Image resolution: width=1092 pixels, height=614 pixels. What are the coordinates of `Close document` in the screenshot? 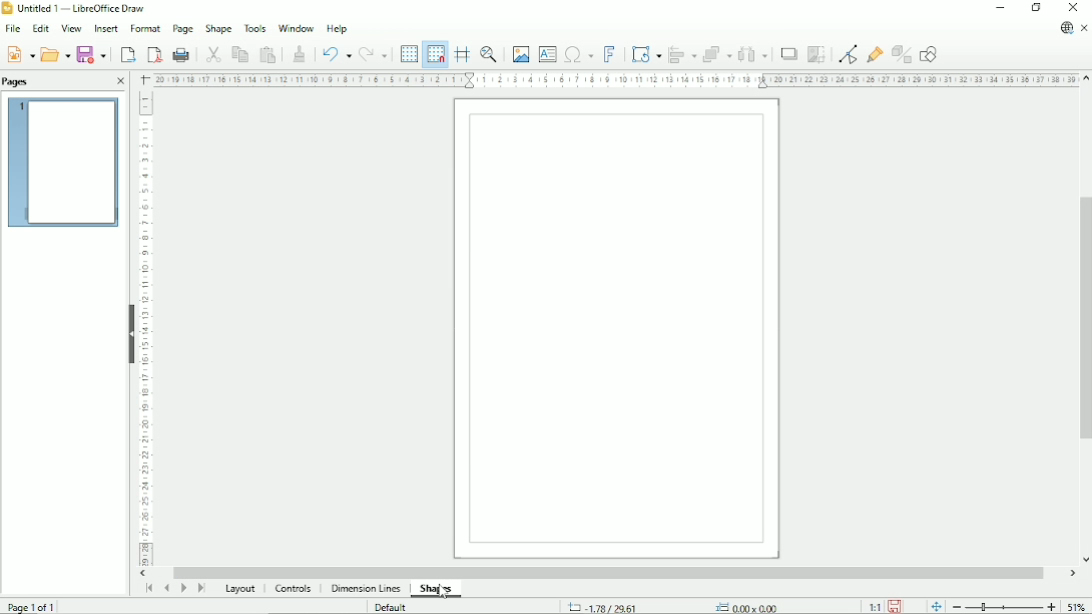 It's located at (1086, 29).